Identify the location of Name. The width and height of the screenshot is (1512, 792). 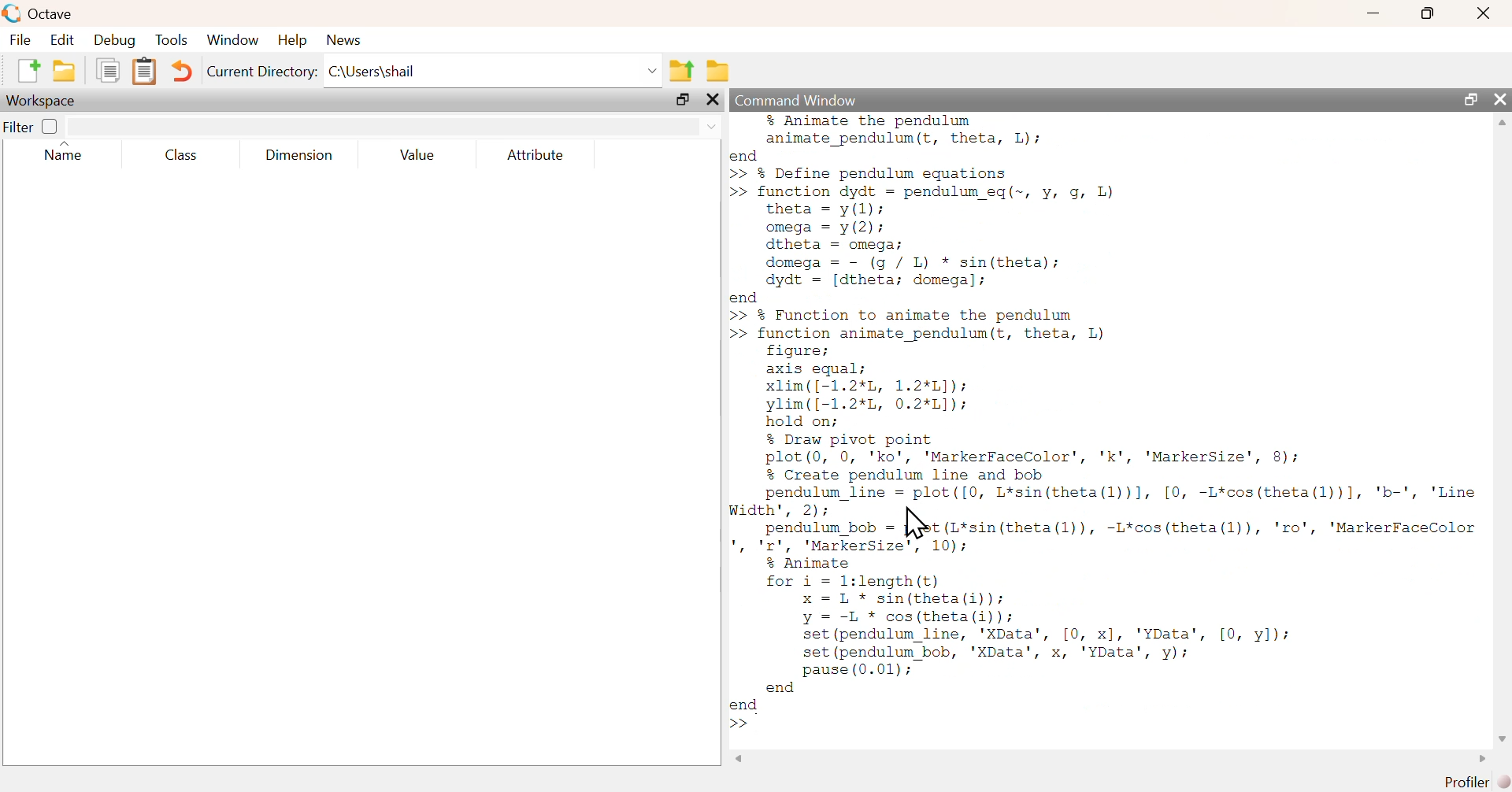
(72, 153).